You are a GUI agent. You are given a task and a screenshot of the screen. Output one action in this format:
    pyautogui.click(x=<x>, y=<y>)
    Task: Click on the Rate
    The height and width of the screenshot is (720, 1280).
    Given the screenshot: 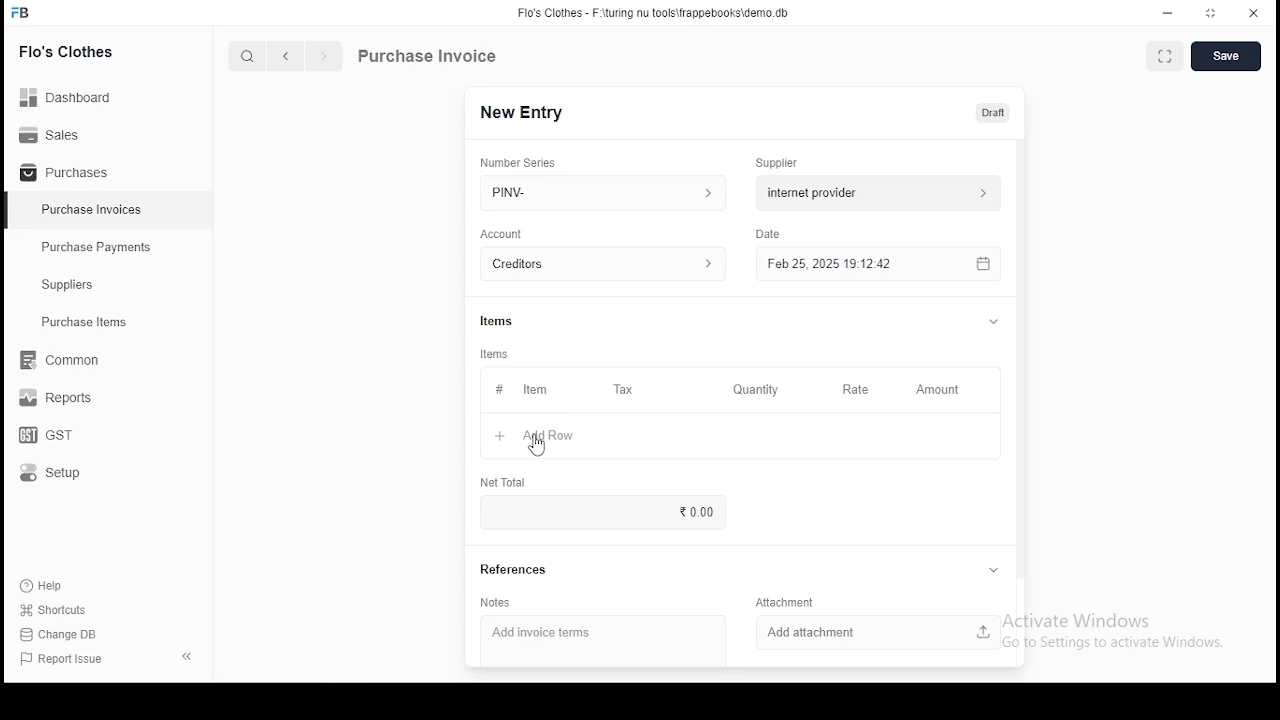 What is the action you would take?
    pyautogui.click(x=857, y=389)
    